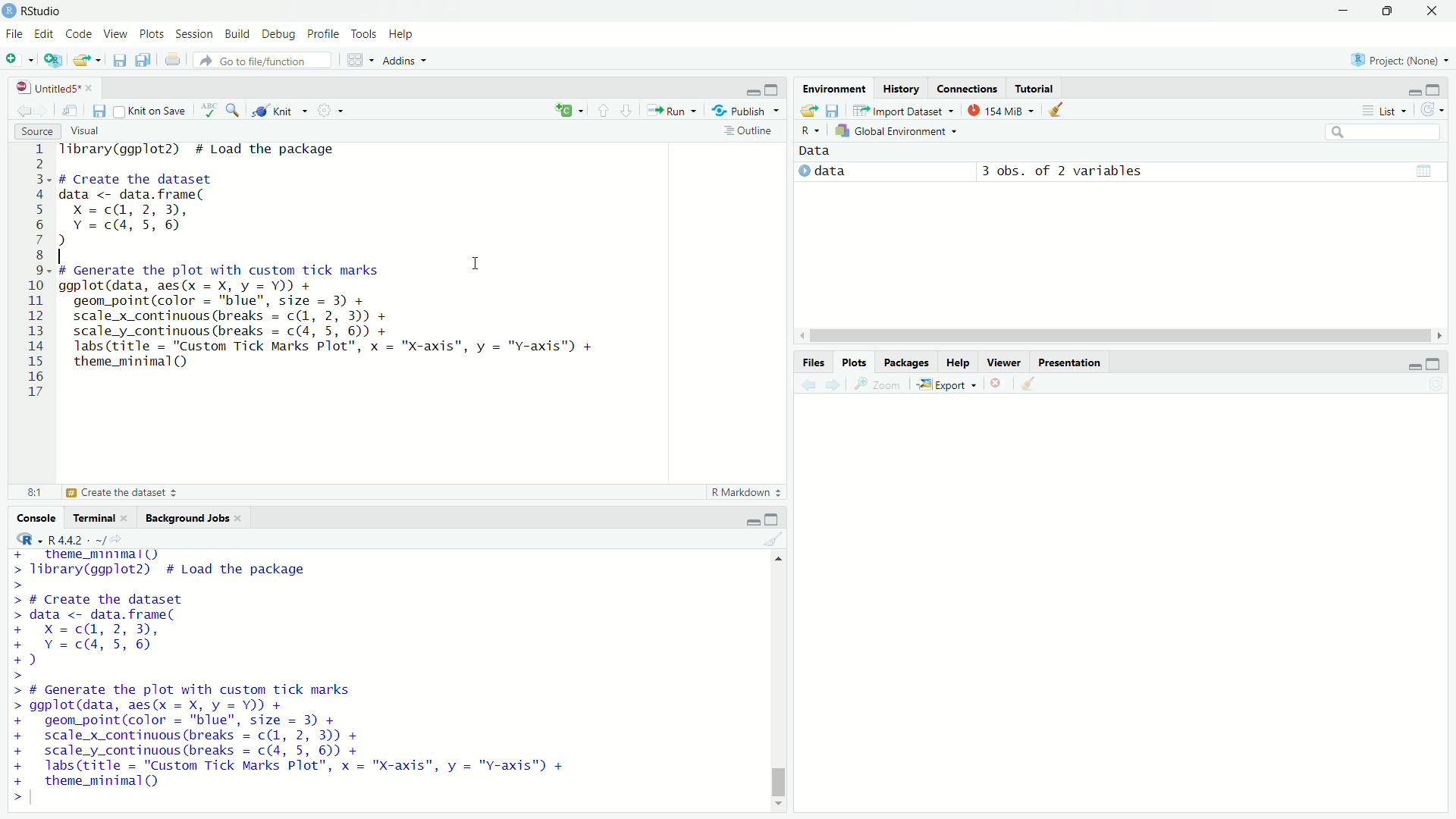 This screenshot has height=819, width=1456. What do you see at coordinates (907, 362) in the screenshot?
I see `packages` at bounding box center [907, 362].